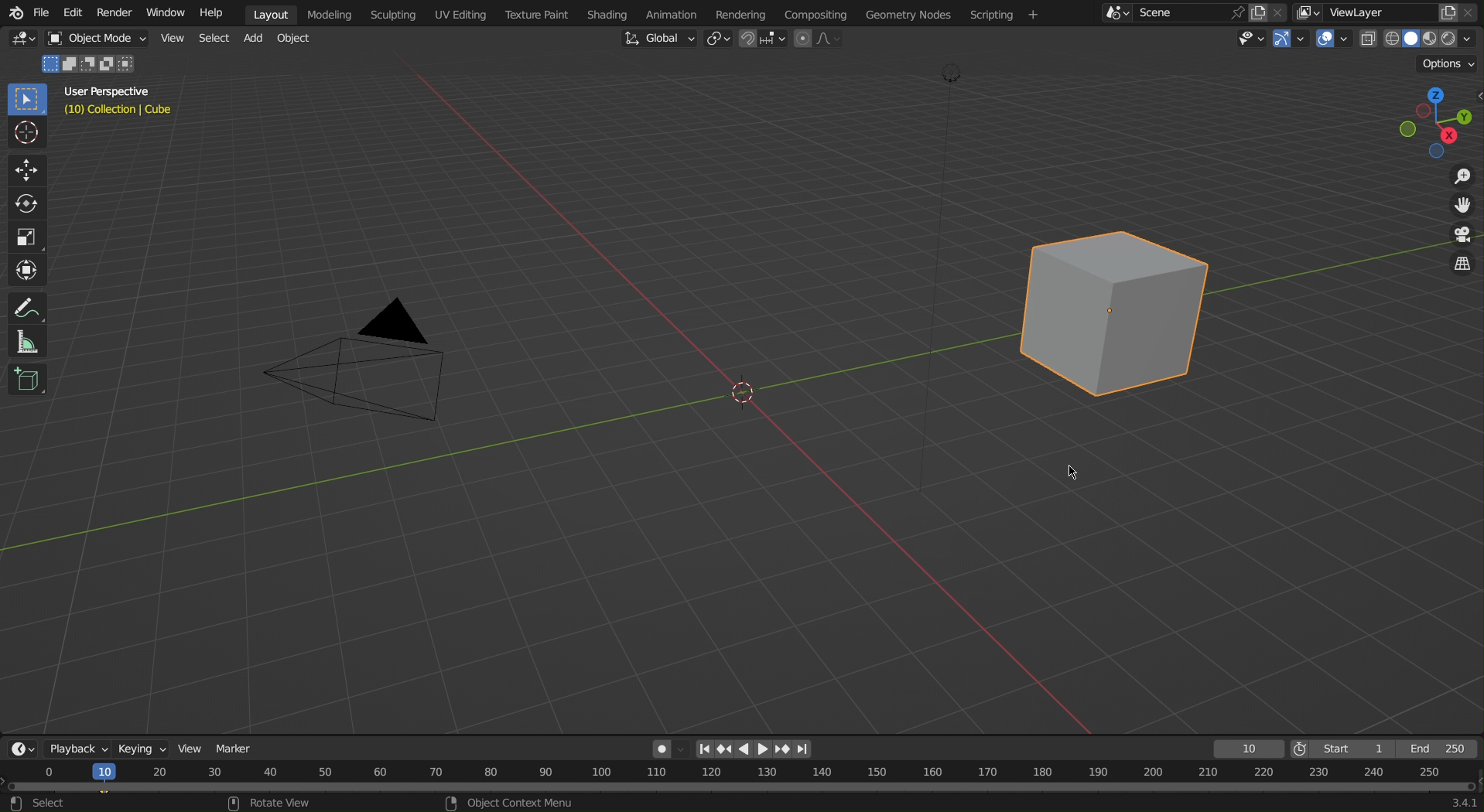 This screenshot has height=812, width=1484. Describe the element at coordinates (745, 749) in the screenshot. I see `left` at that location.